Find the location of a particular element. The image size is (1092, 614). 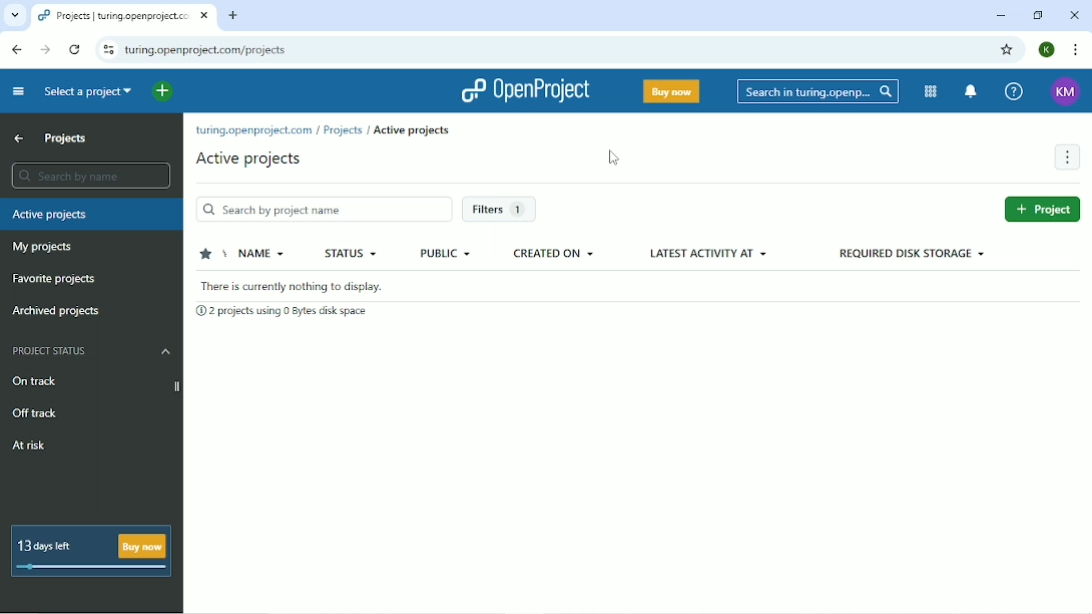

Open quick add menu is located at coordinates (163, 92).